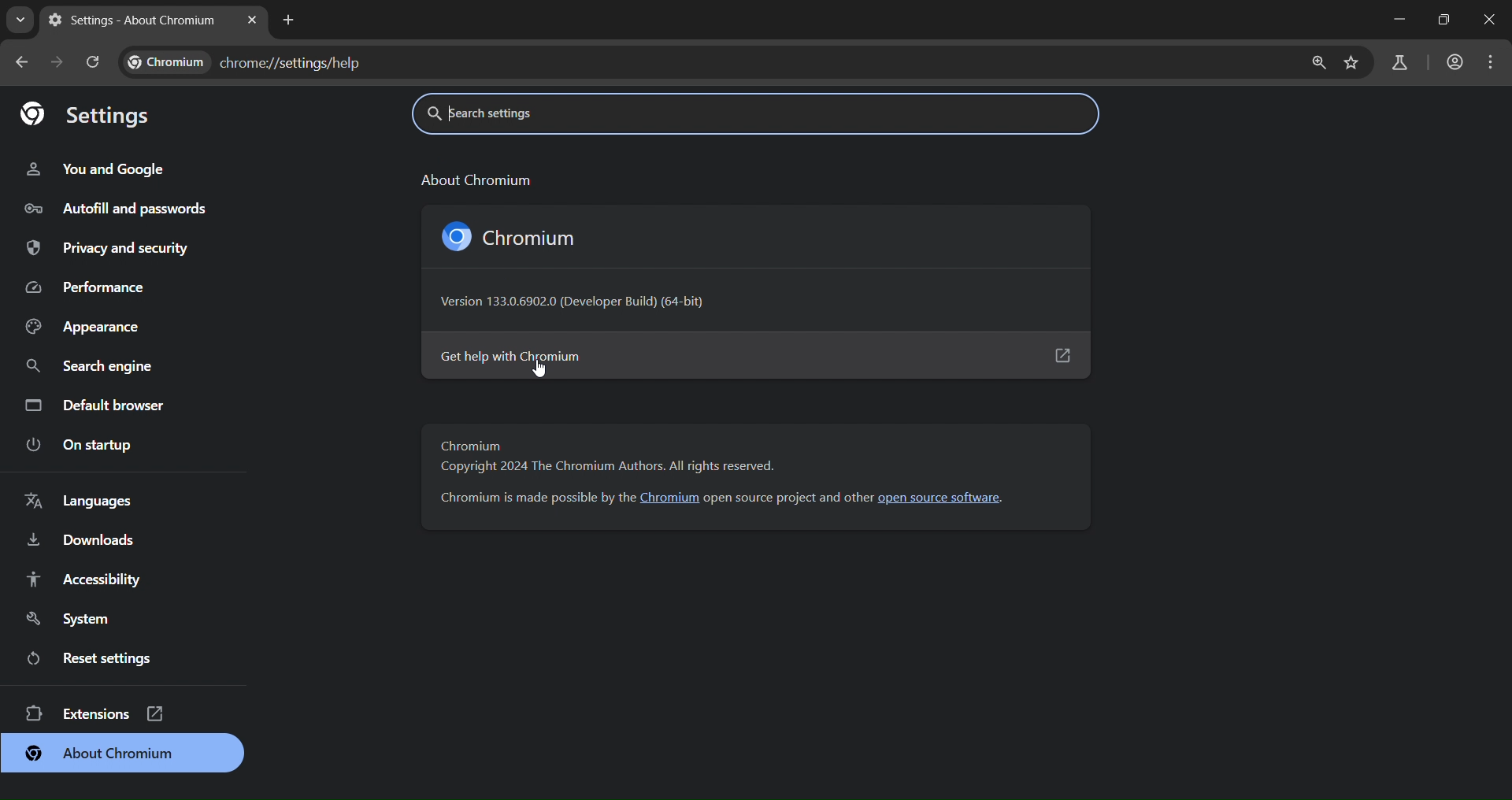  I want to click on system, so click(65, 617).